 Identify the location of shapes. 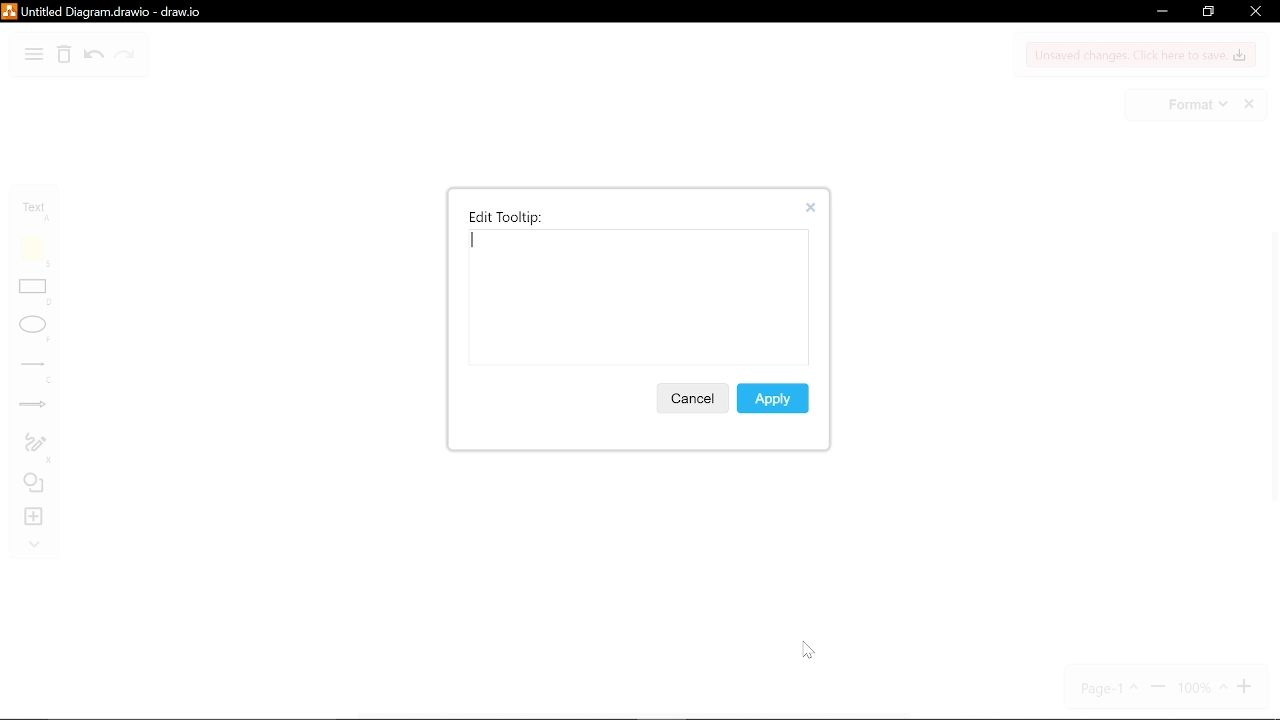
(36, 485).